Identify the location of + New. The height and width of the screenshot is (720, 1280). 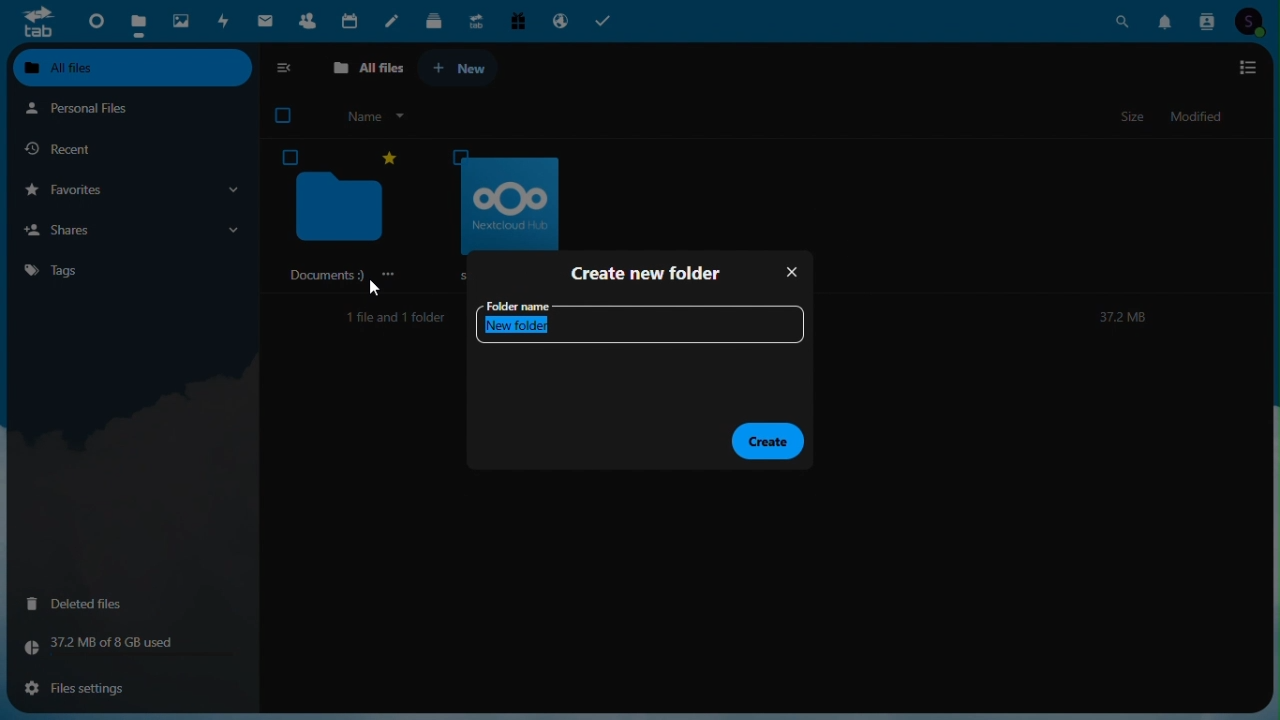
(468, 71).